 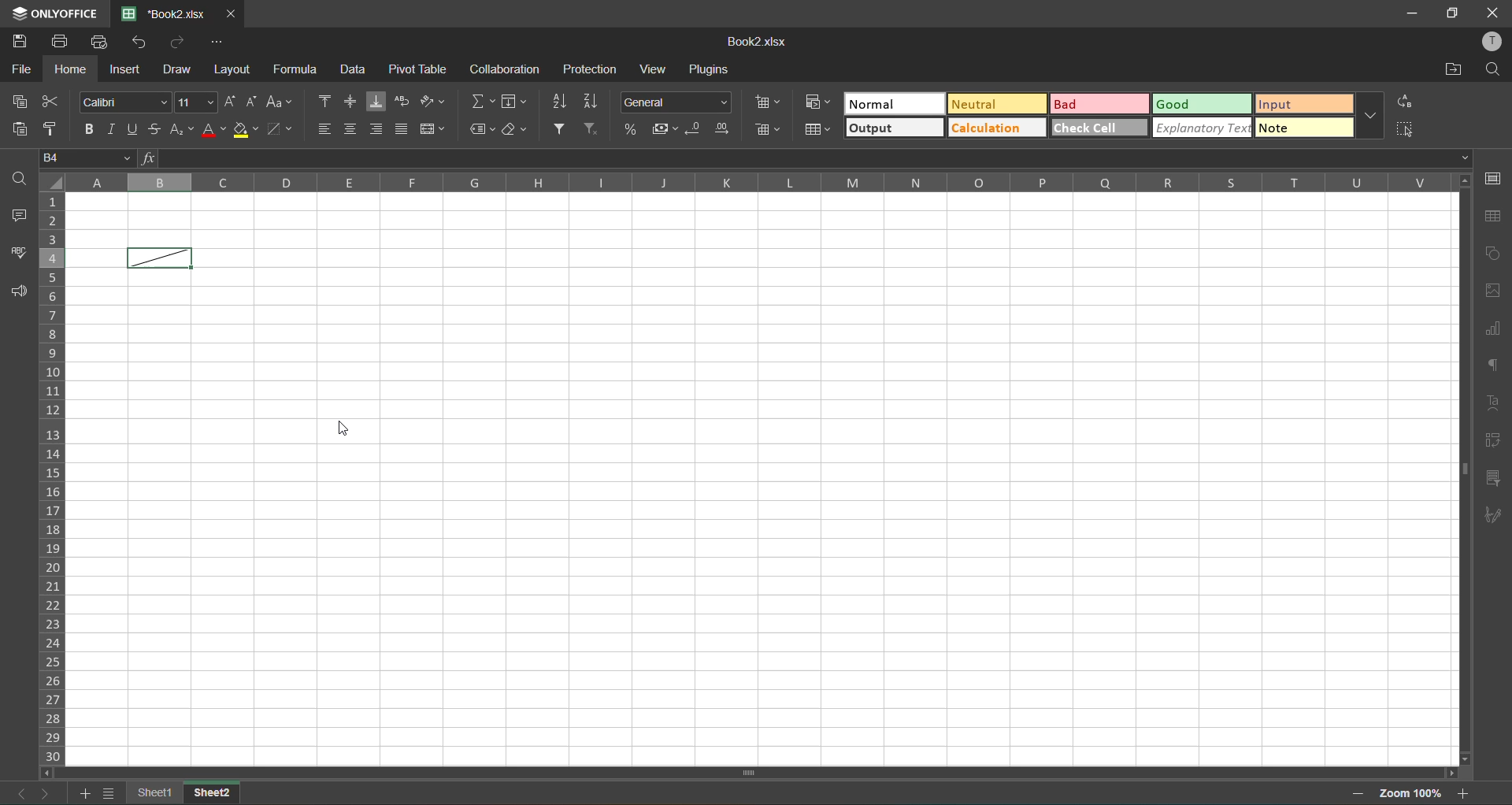 I want to click on only office, so click(x=54, y=12).